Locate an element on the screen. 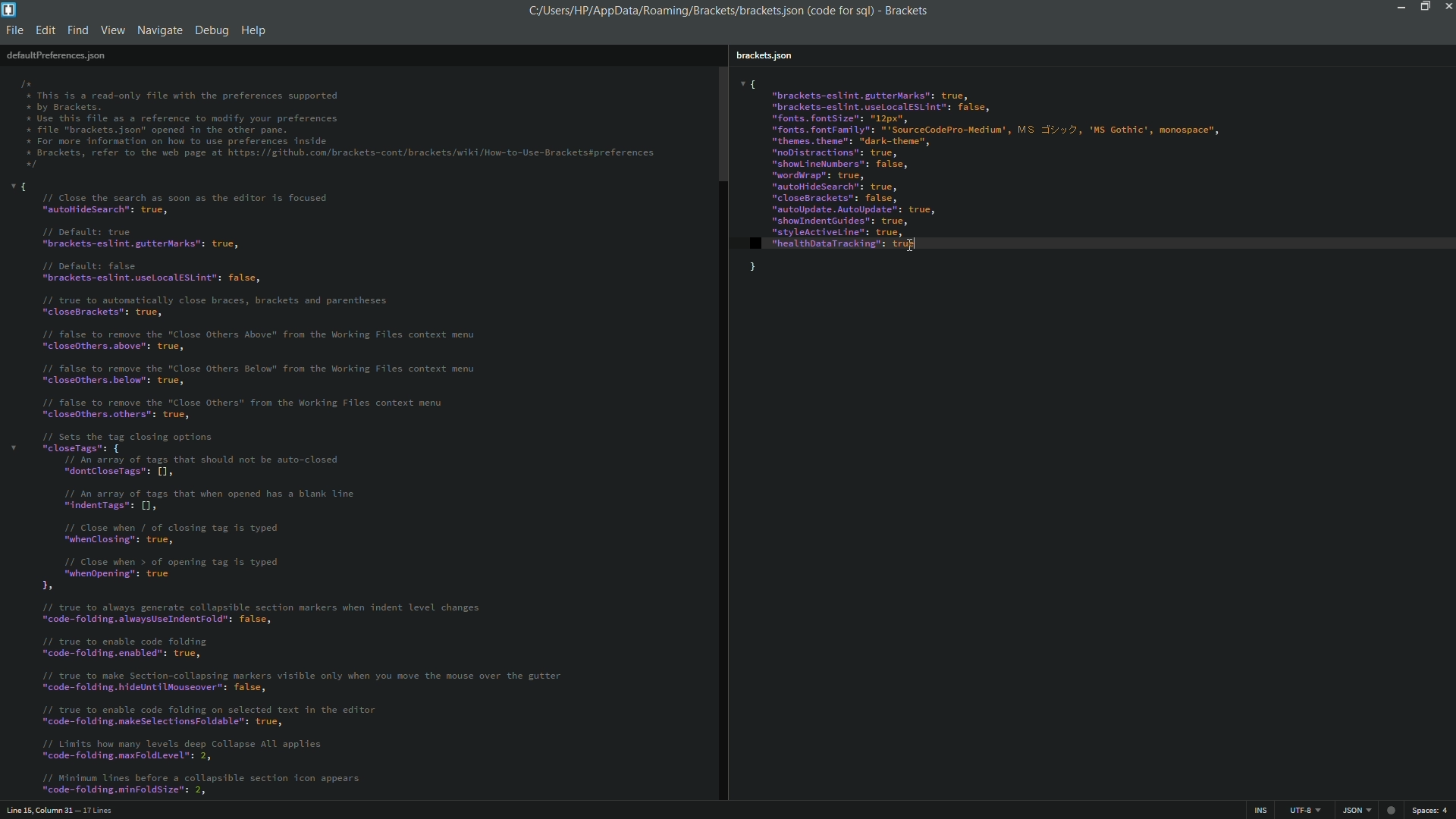 The width and height of the screenshot is (1456, 819). App icon is located at coordinates (11, 10).